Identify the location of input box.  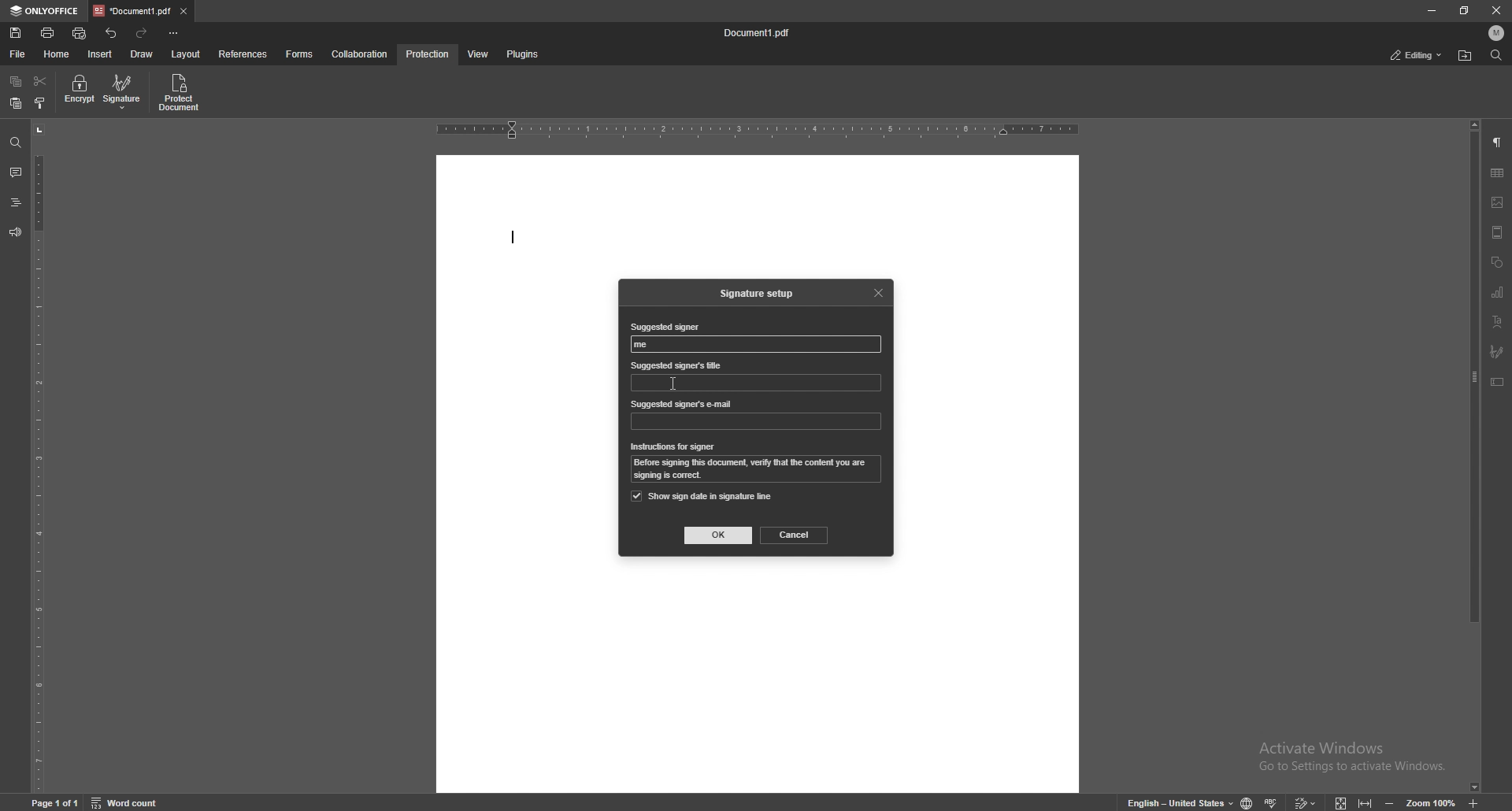
(755, 421).